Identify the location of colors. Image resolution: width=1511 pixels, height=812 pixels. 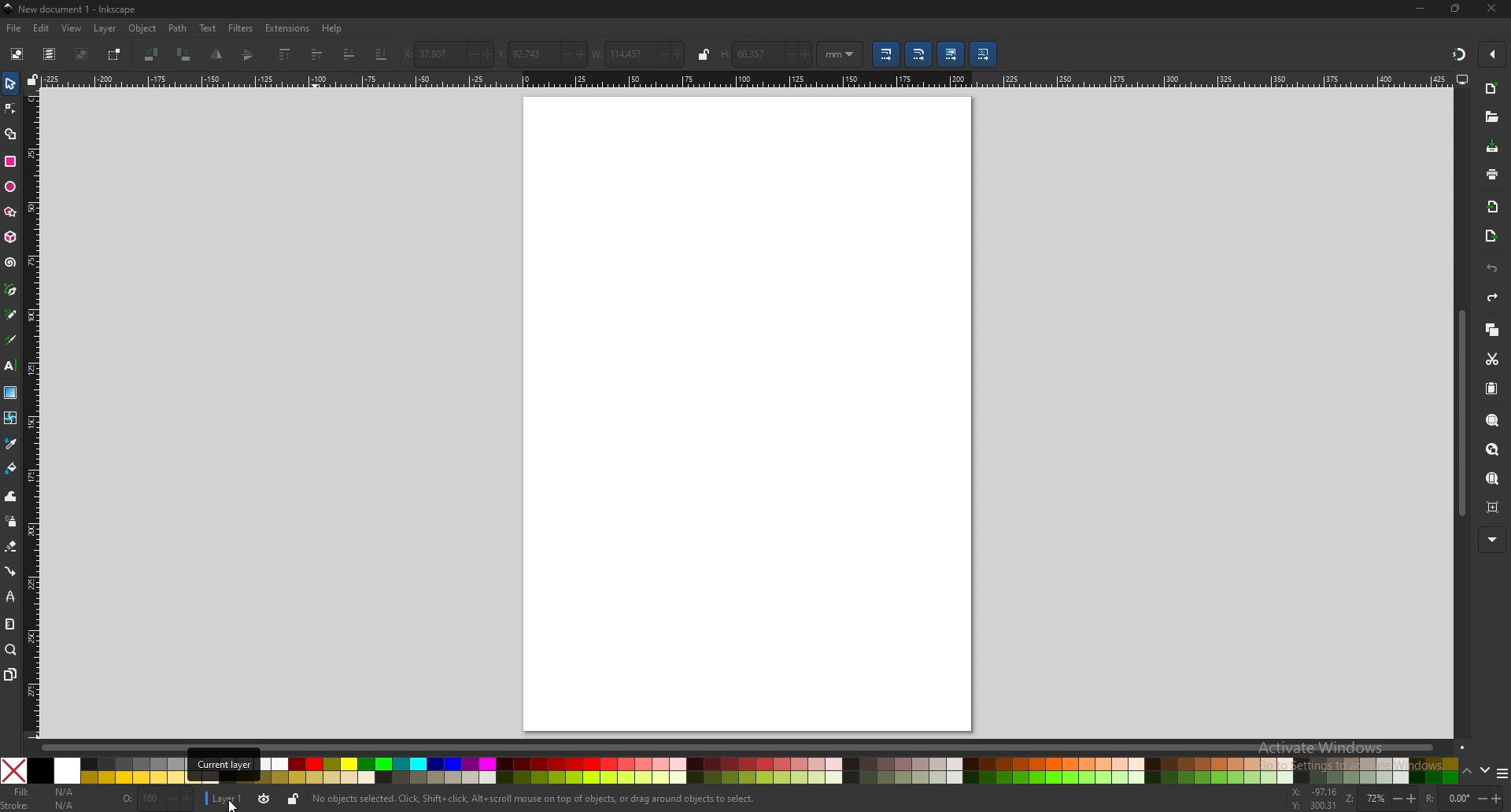
(858, 771).